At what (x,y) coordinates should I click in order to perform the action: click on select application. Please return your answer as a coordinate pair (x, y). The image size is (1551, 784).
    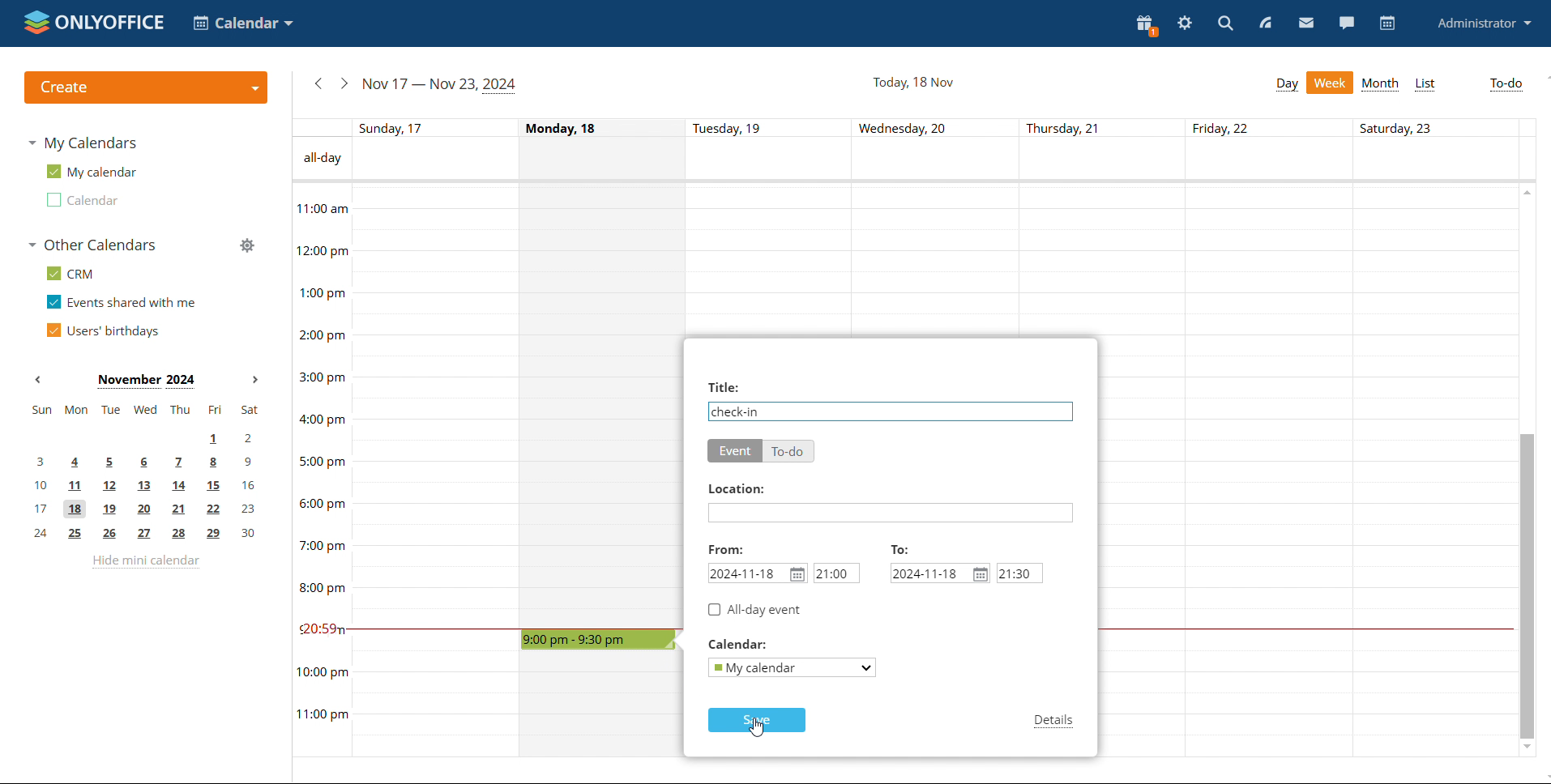
    Looking at the image, I should click on (245, 23).